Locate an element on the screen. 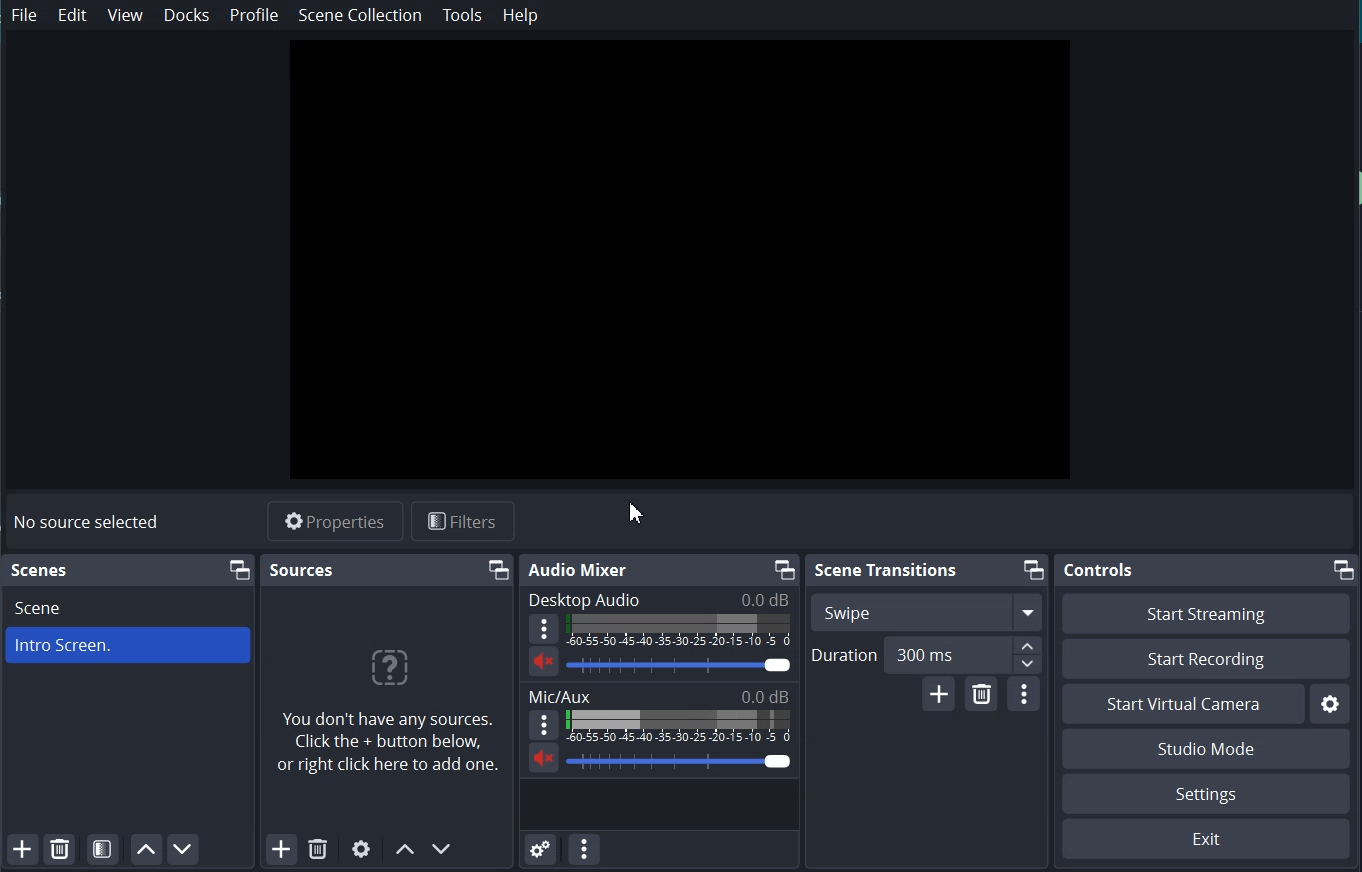  Duration is located at coordinates (926, 655).